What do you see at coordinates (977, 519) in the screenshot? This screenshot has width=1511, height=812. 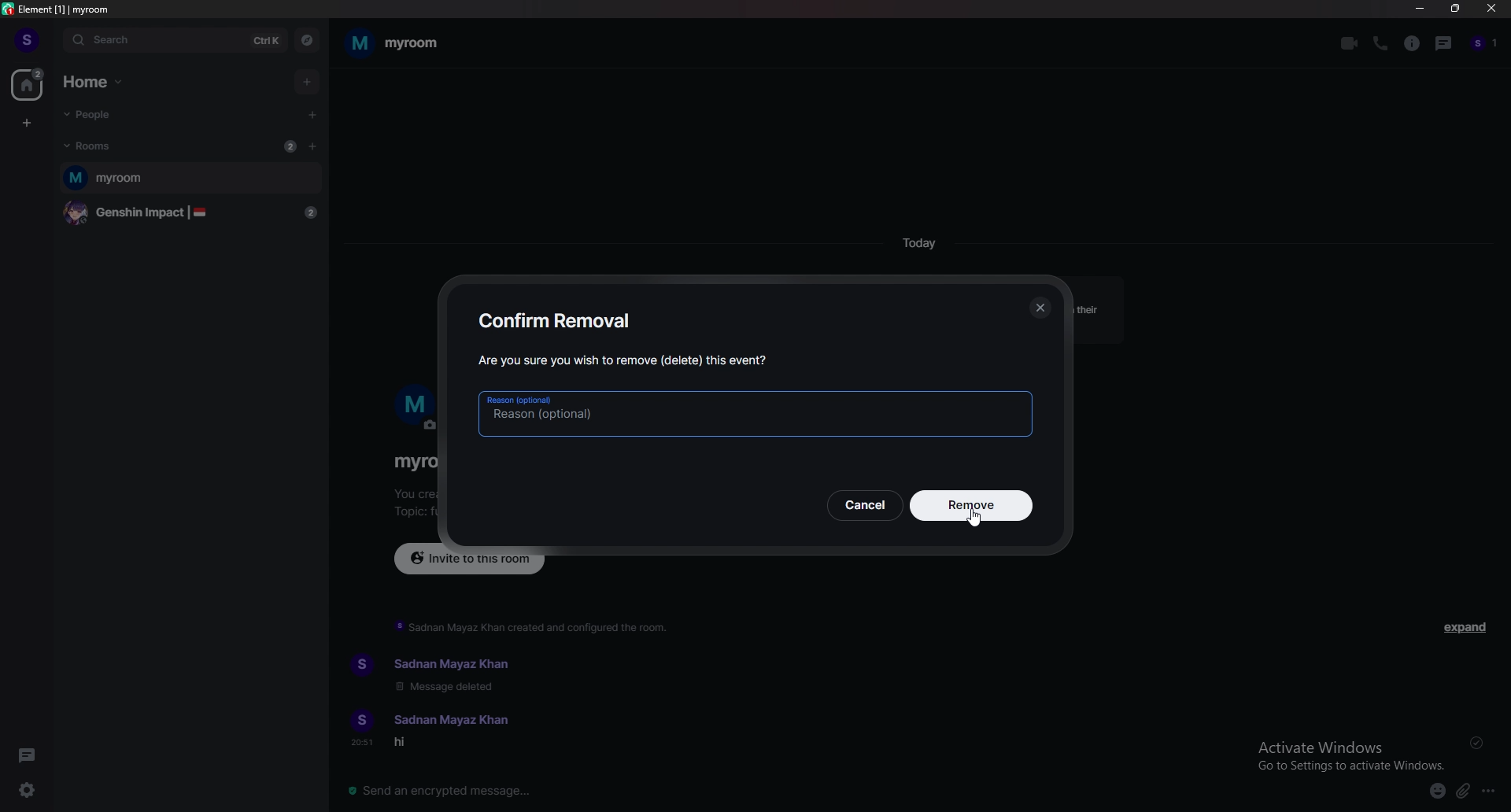 I see `cursor` at bounding box center [977, 519].